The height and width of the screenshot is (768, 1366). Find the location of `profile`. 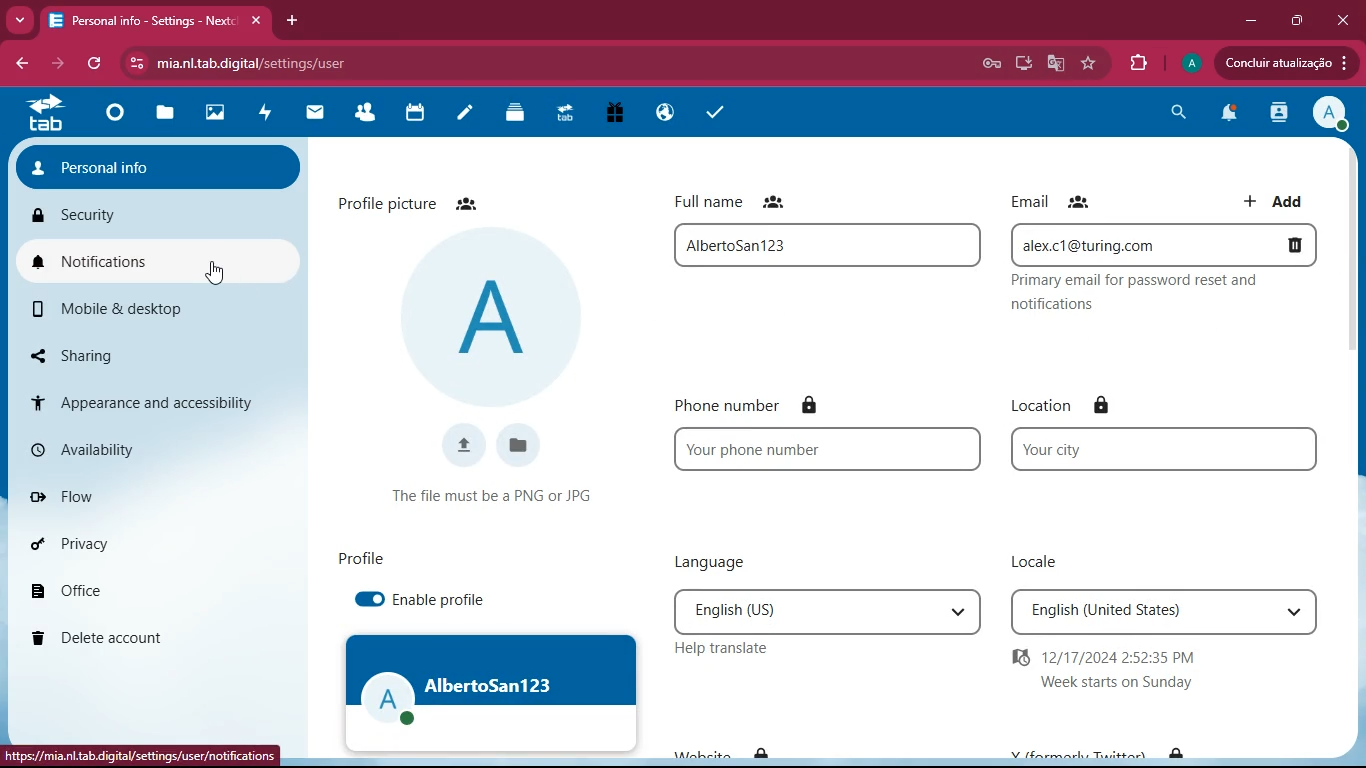

profile is located at coordinates (1331, 112).